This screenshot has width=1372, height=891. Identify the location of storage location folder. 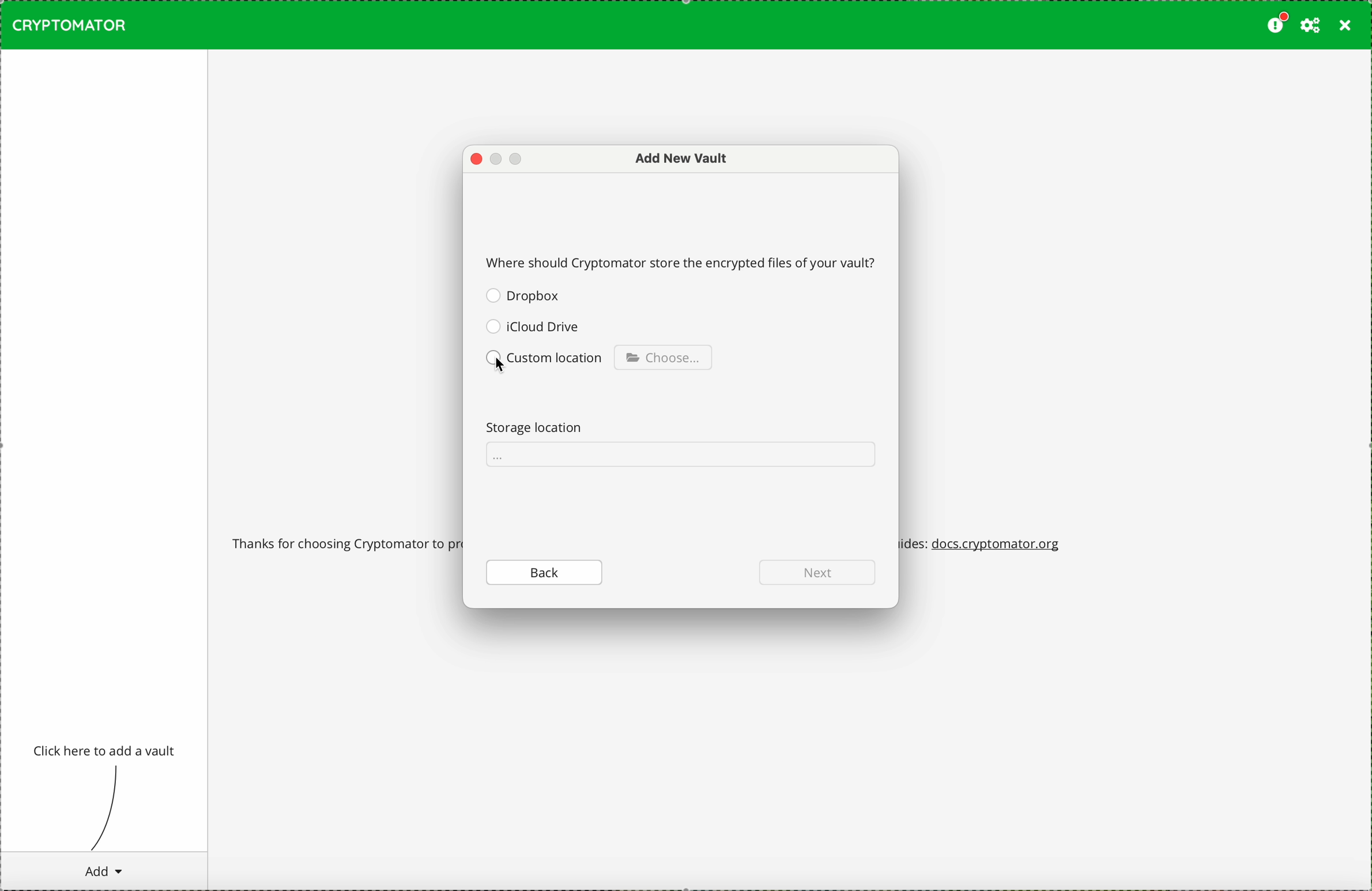
(680, 455).